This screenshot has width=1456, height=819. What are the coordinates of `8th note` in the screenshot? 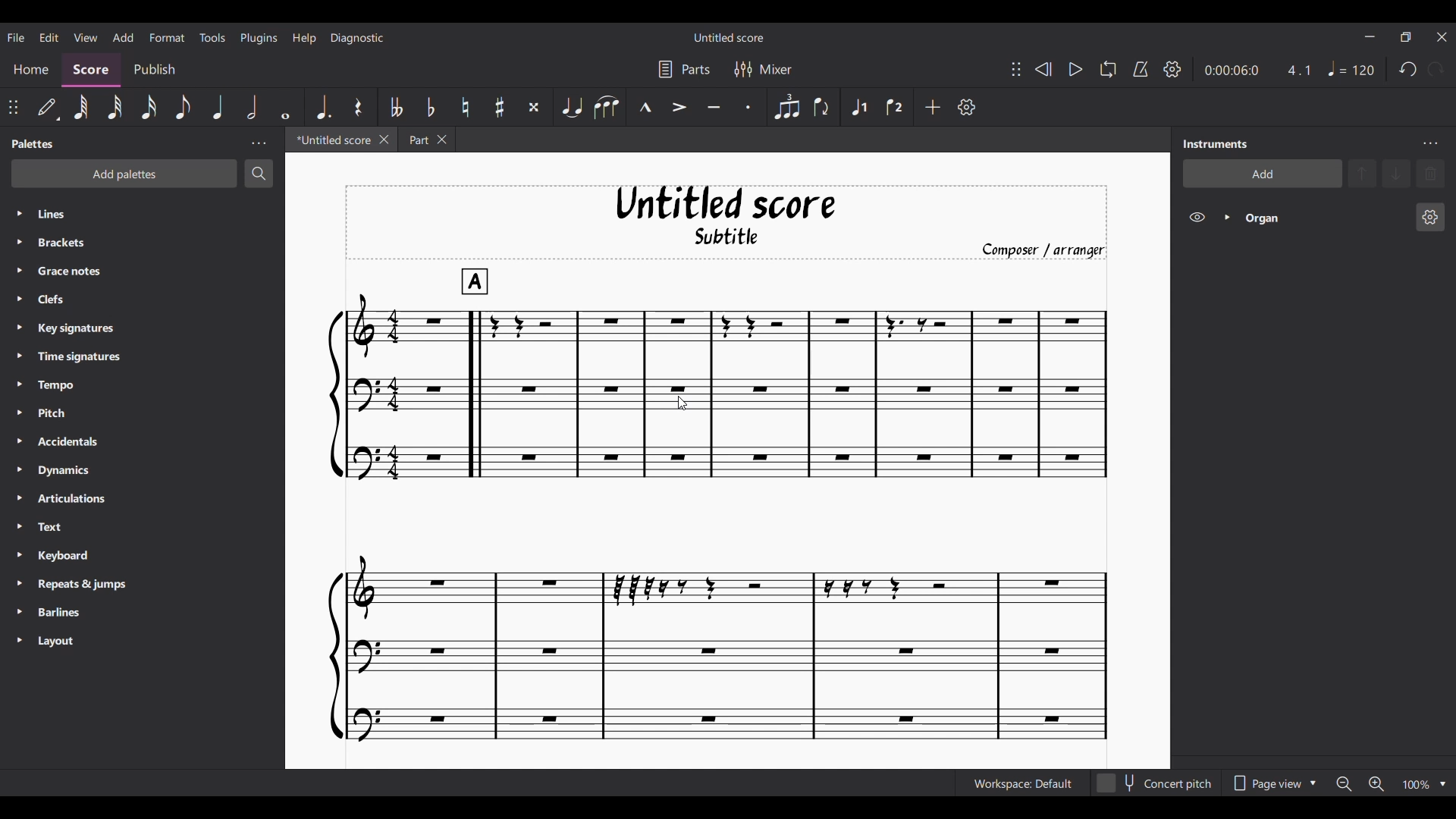 It's located at (184, 108).